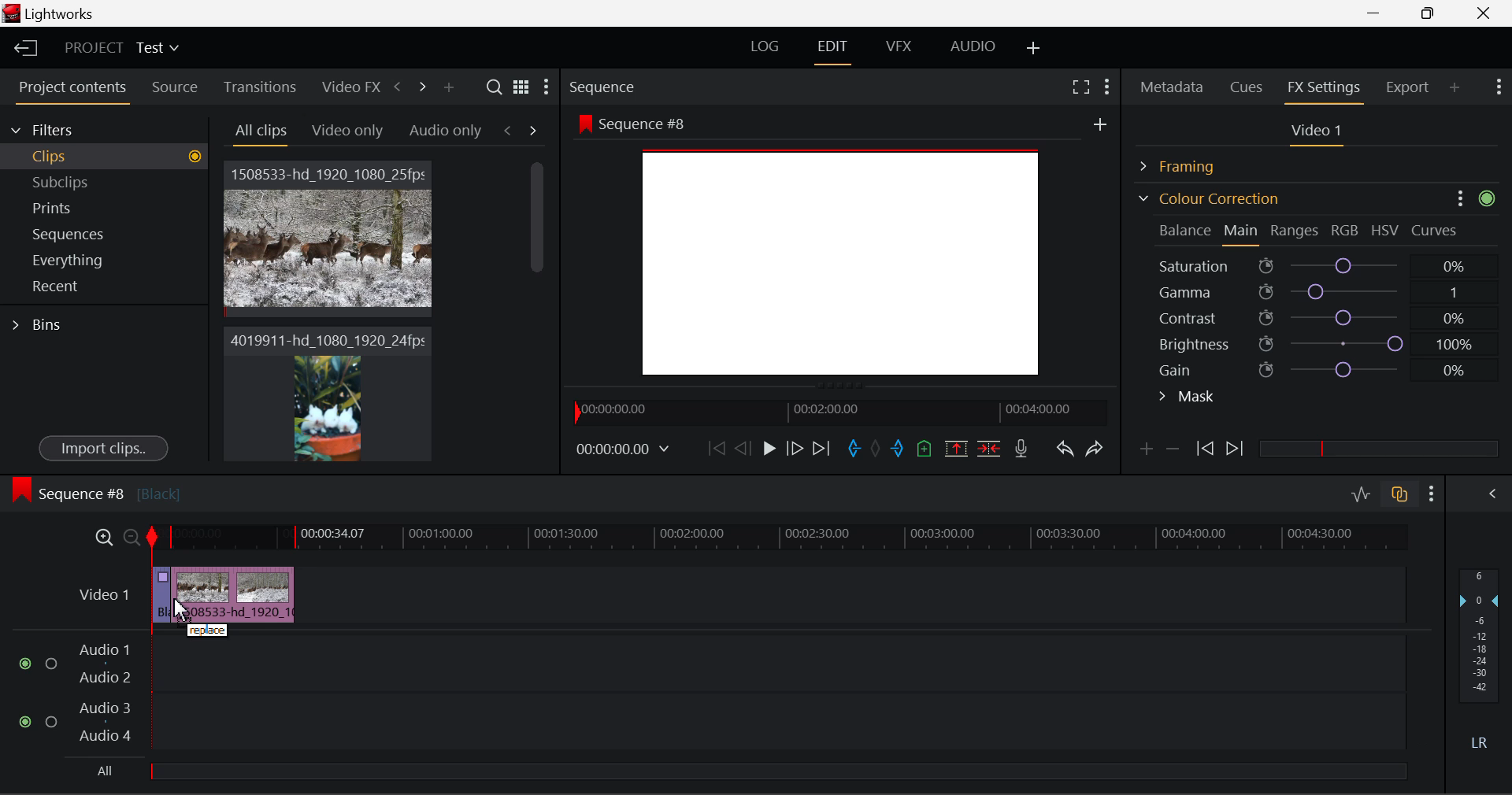  I want to click on LOG Layout, so click(764, 46).